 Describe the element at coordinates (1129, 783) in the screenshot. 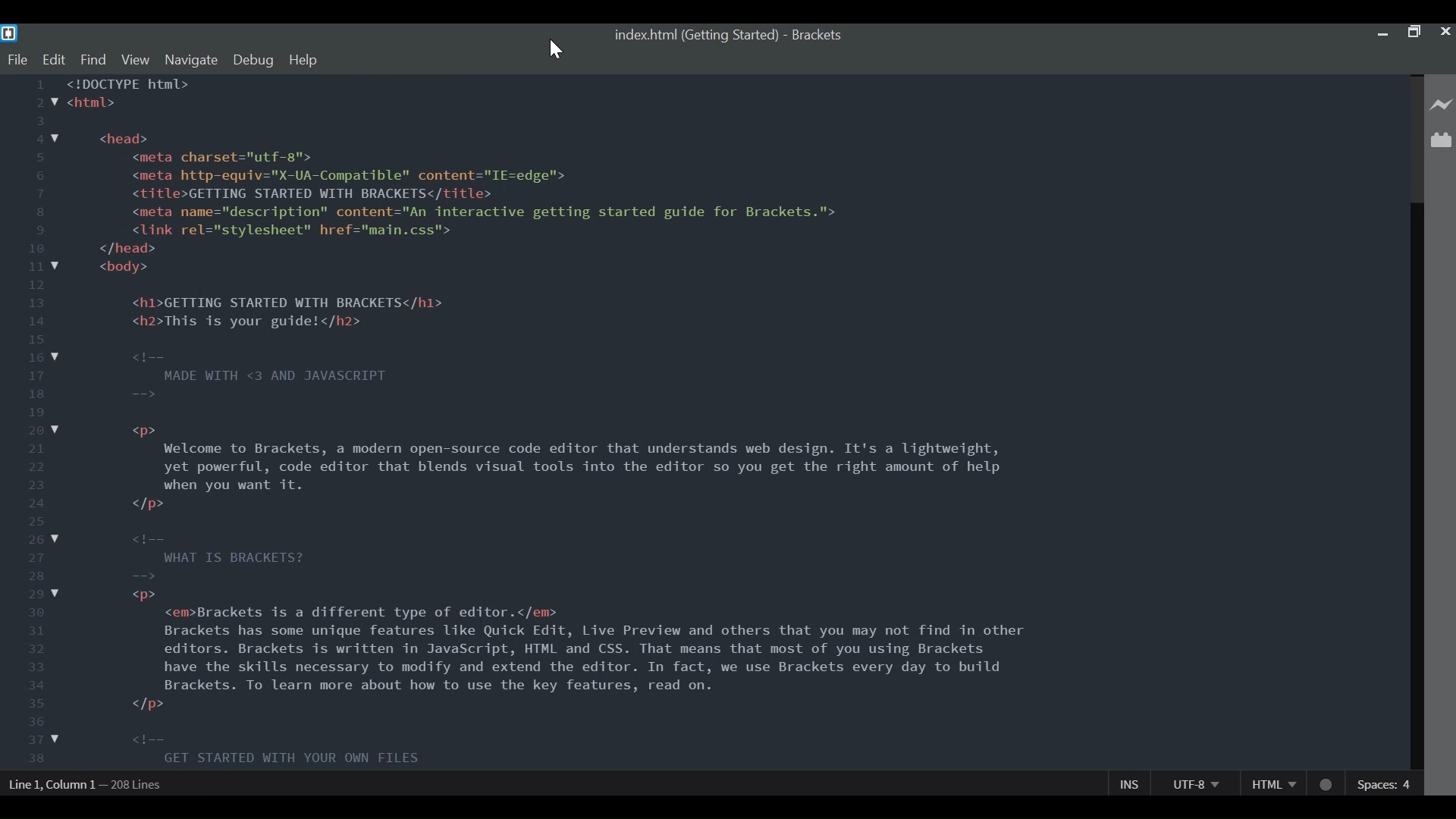

I see `INS` at that location.